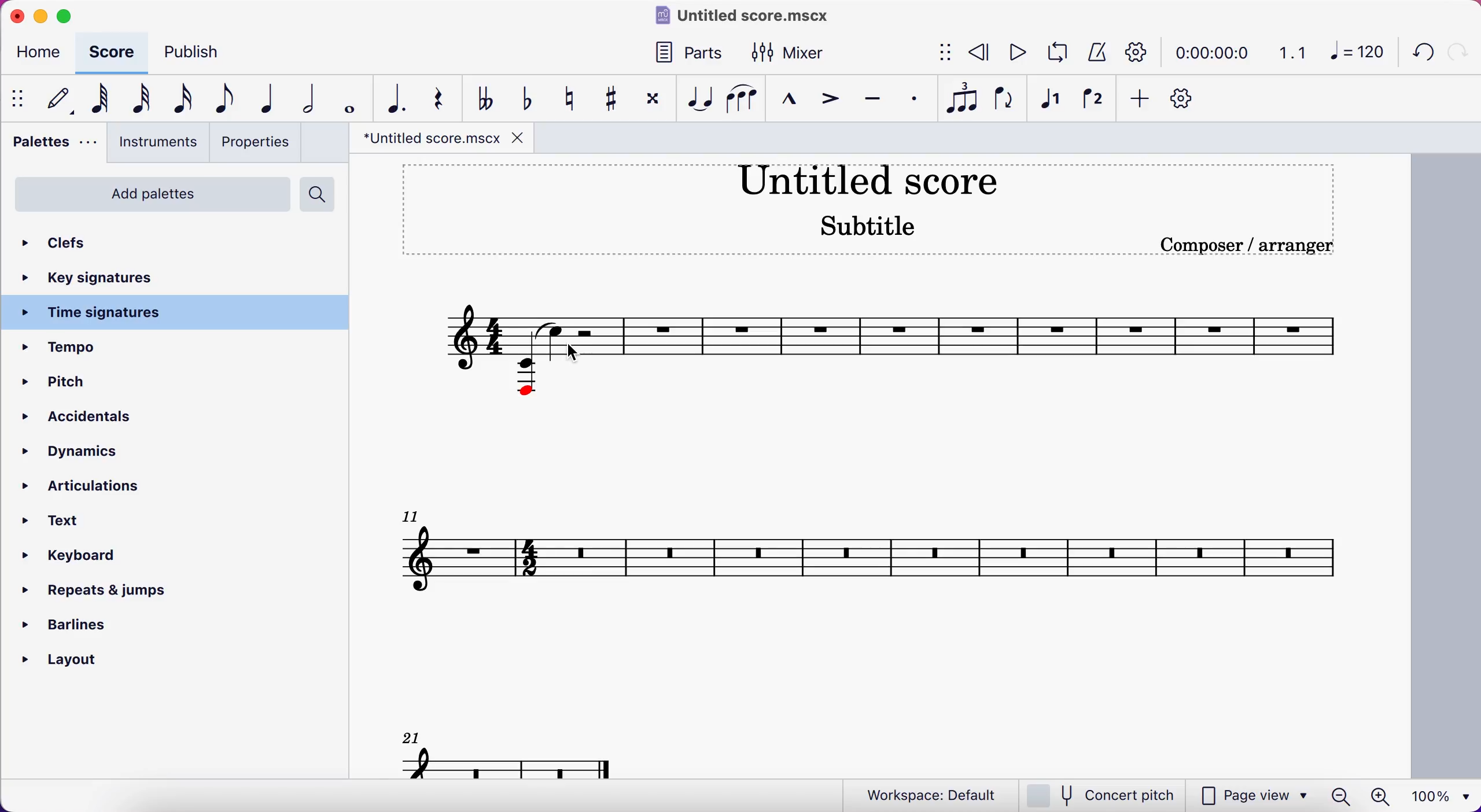 The width and height of the screenshot is (1481, 812). Describe the element at coordinates (16, 16) in the screenshot. I see `close` at that location.